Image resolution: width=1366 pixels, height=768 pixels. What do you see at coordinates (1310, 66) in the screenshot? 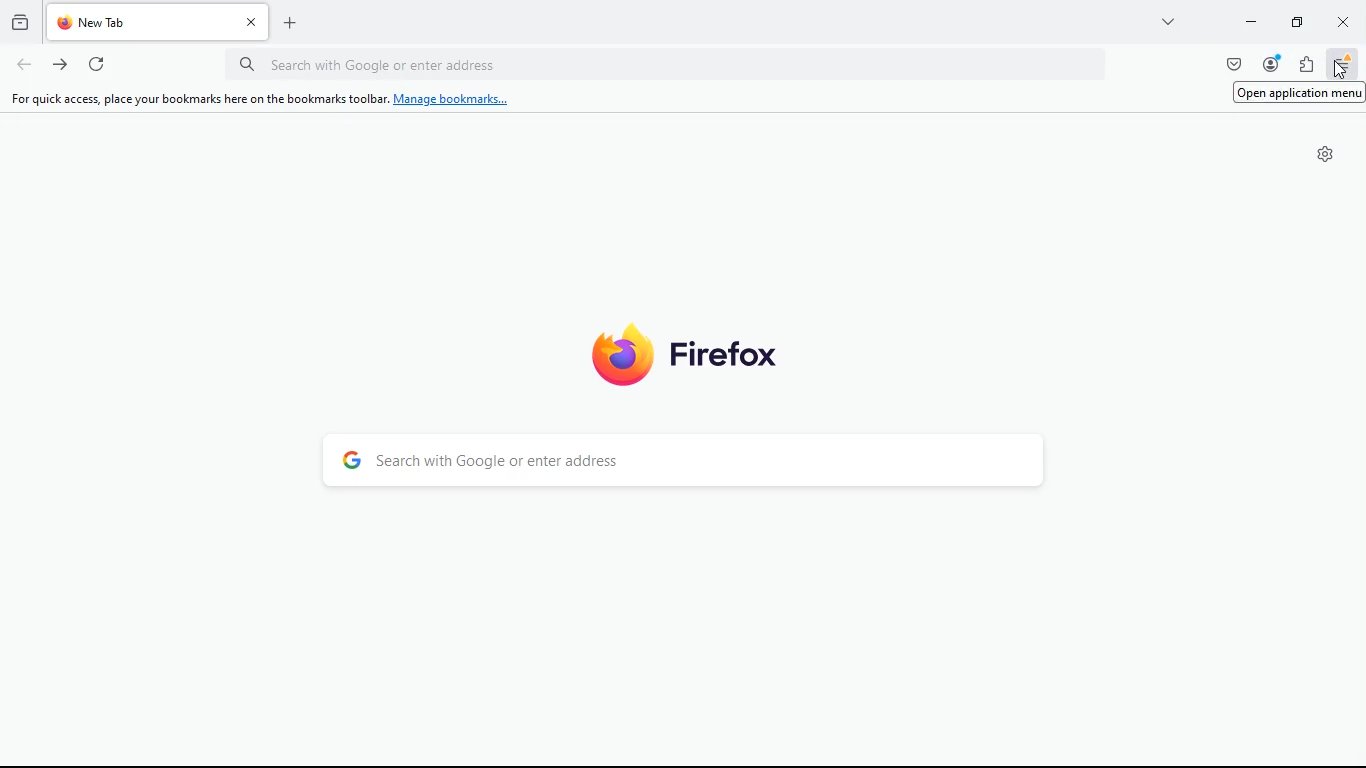
I see `extensions` at bounding box center [1310, 66].